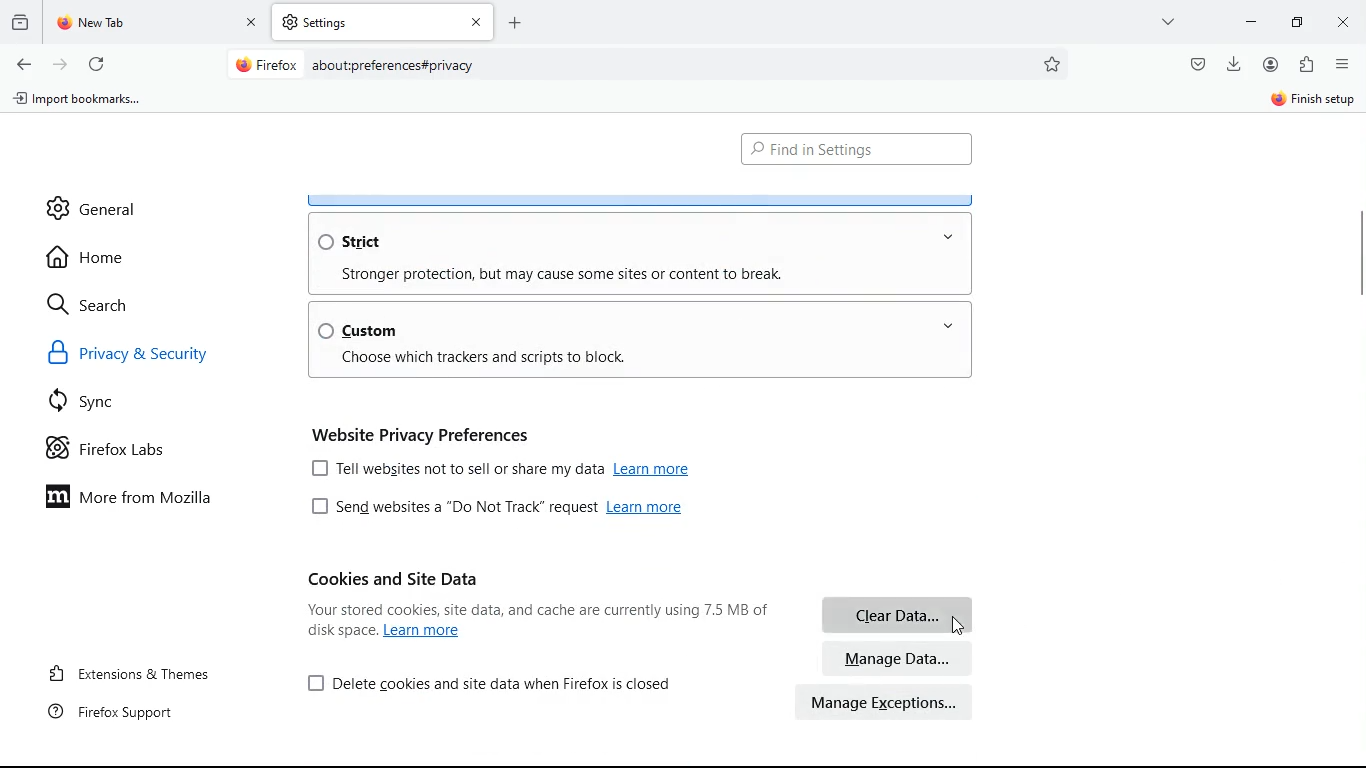 The width and height of the screenshot is (1366, 768). I want to click on historic, so click(23, 21).